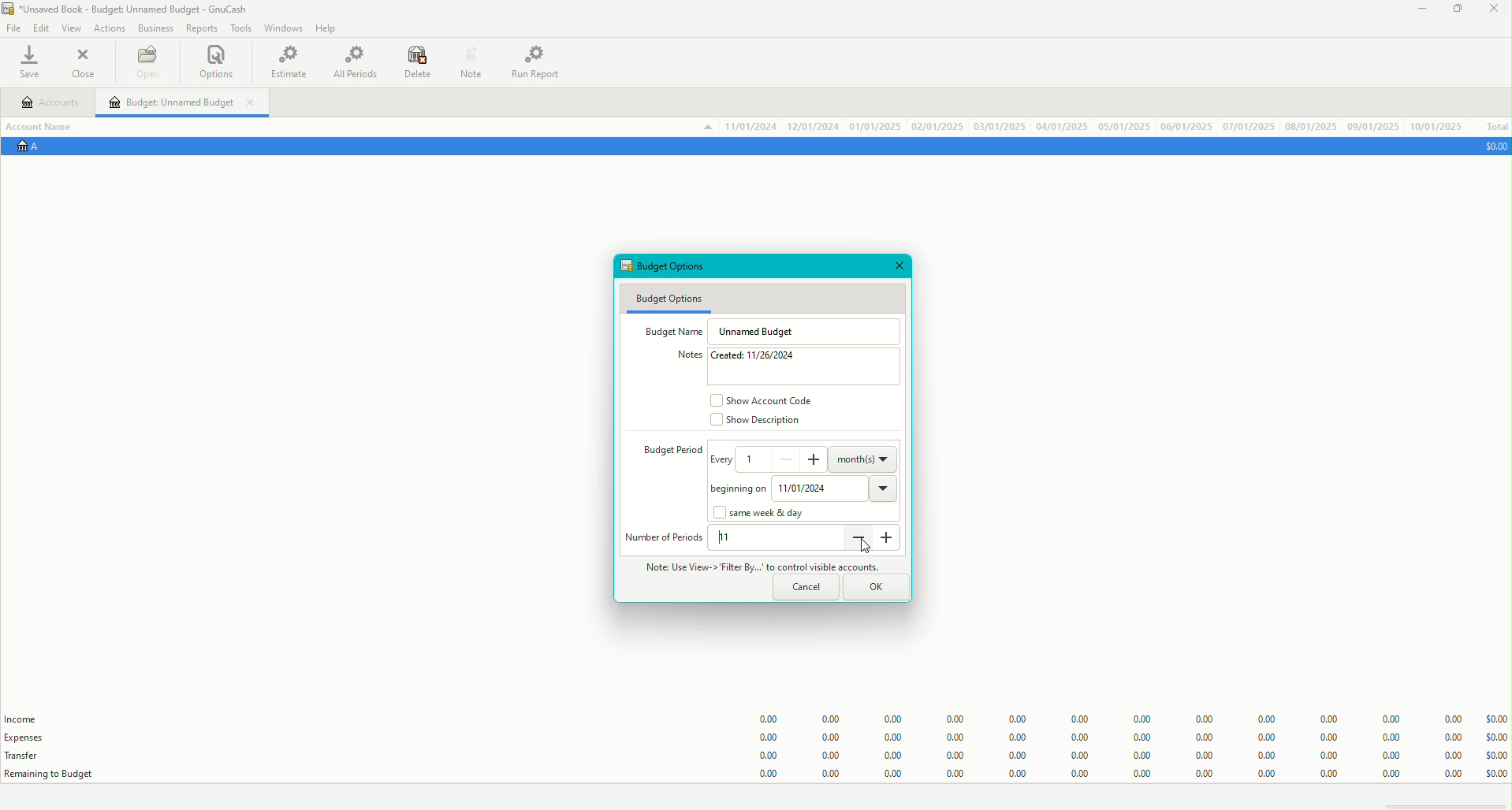 The width and height of the screenshot is (1512, 810). What do you see at coordinates (1492, 10) in the screenshot?
I see `Close` at bounding box center [1492, 10].